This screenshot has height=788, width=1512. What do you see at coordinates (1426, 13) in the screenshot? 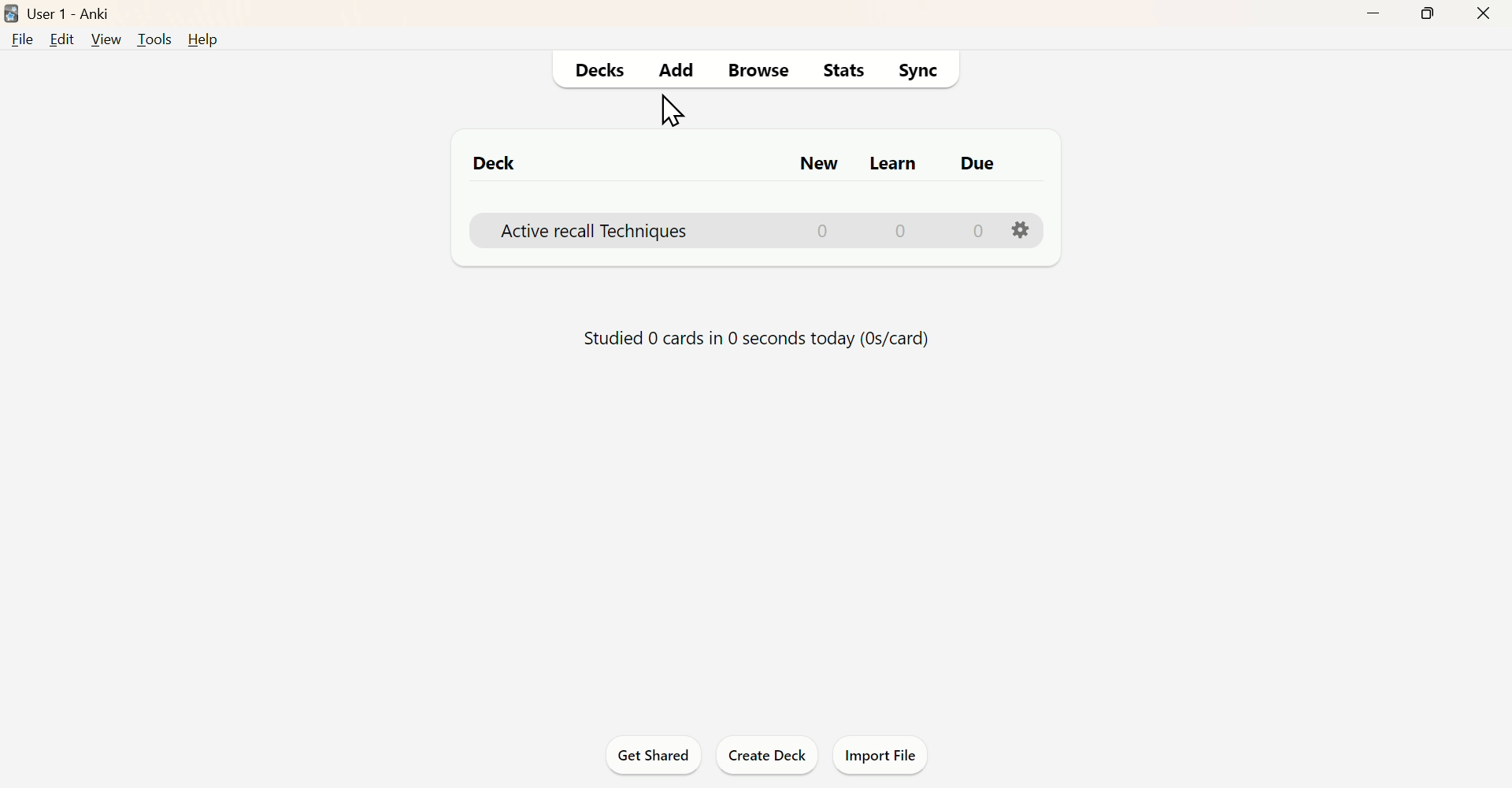
I see `Maximise` at bounding box center [1426, 13].